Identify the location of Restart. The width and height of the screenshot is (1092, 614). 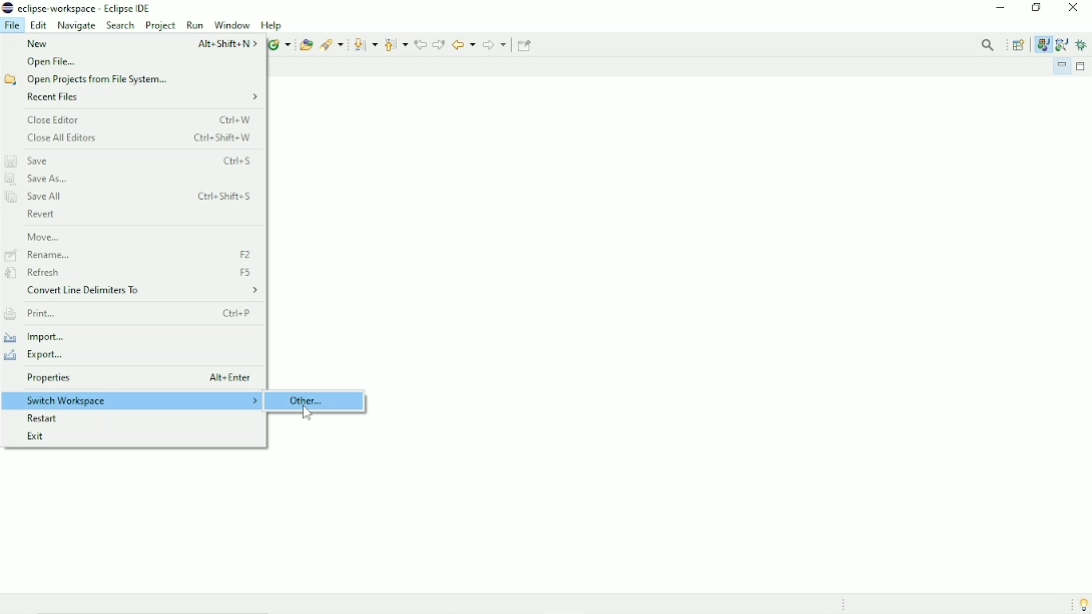
(48, 419).